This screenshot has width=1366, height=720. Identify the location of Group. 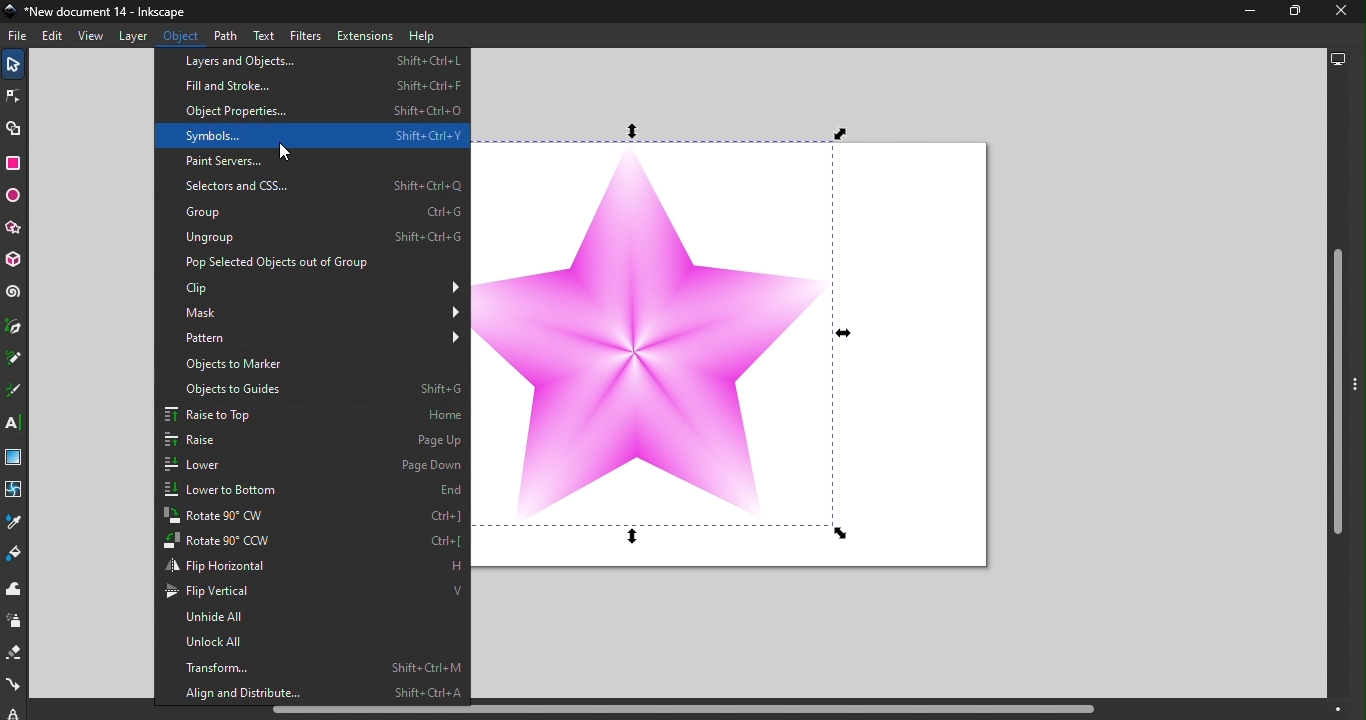
(319, 212).